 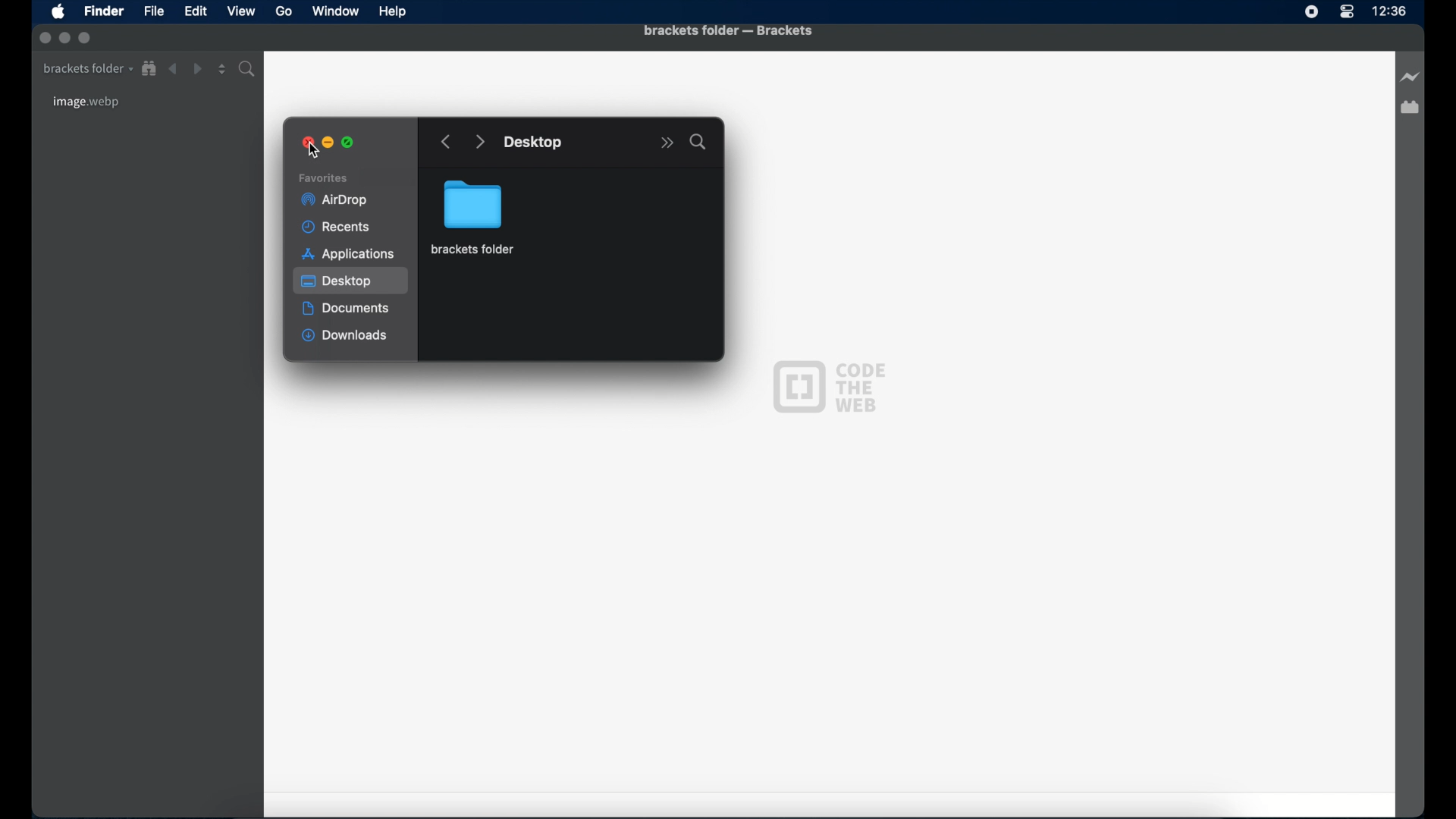 What do you see at coordinates (241, 11) in the screenshot?
I see `View` at bounding box center [241, 11].